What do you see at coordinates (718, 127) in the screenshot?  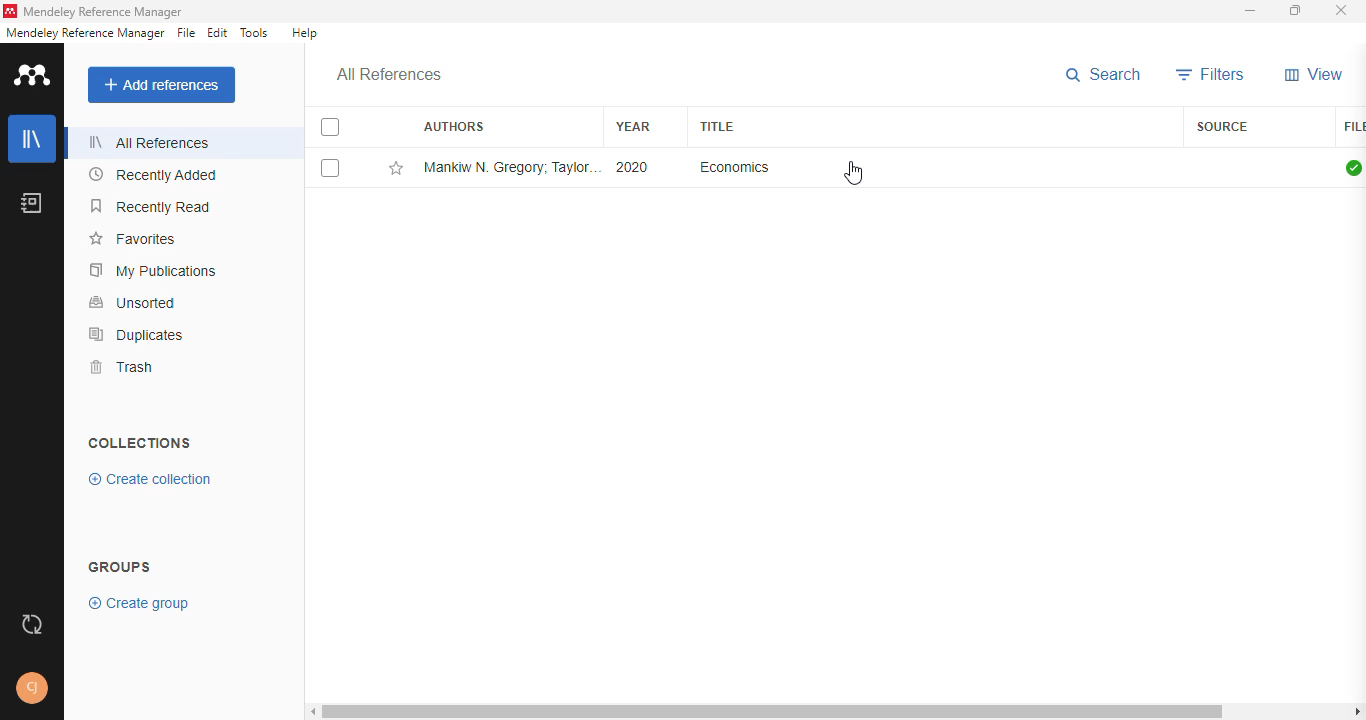 I see `title` at bounding box center [718, 127].